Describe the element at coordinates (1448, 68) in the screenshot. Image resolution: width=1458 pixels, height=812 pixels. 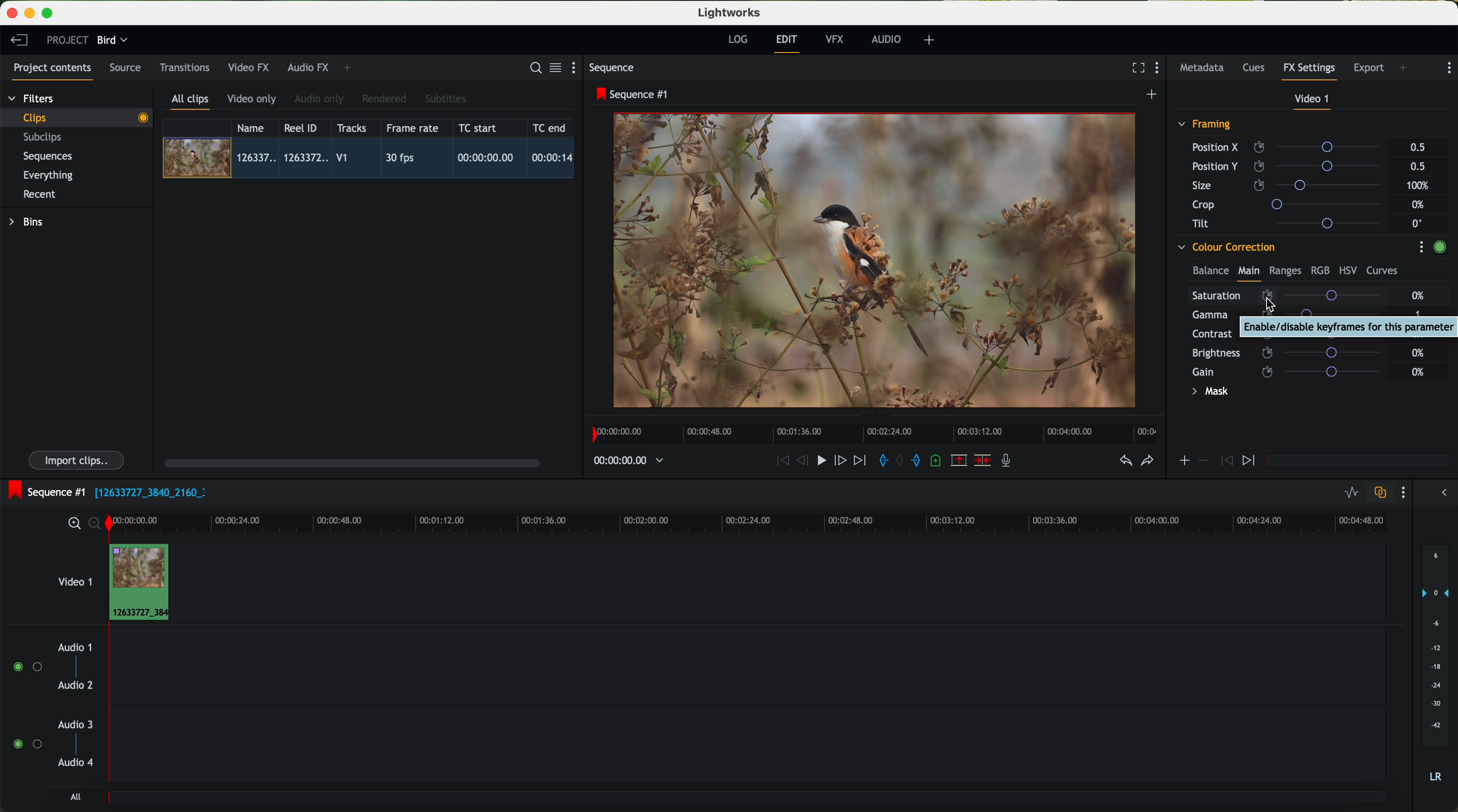
I see `show settings menu` at that location.